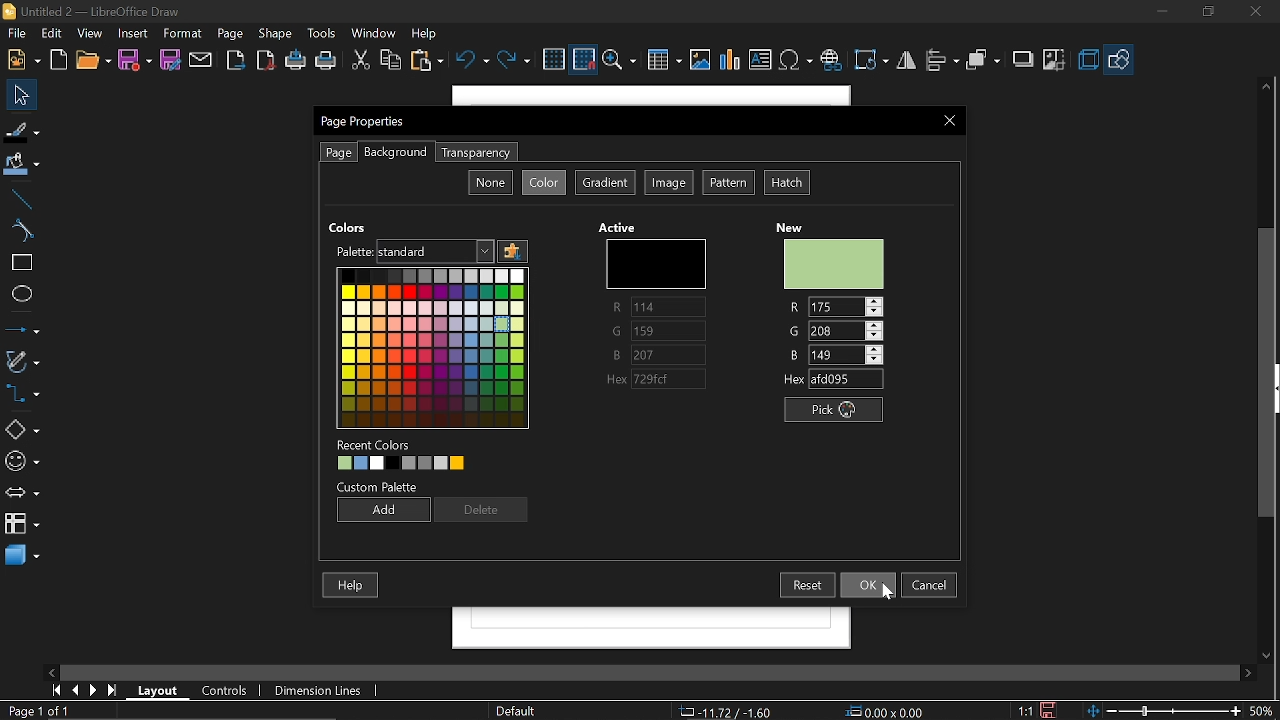  I want to click on Gradient, so click(604, 184).